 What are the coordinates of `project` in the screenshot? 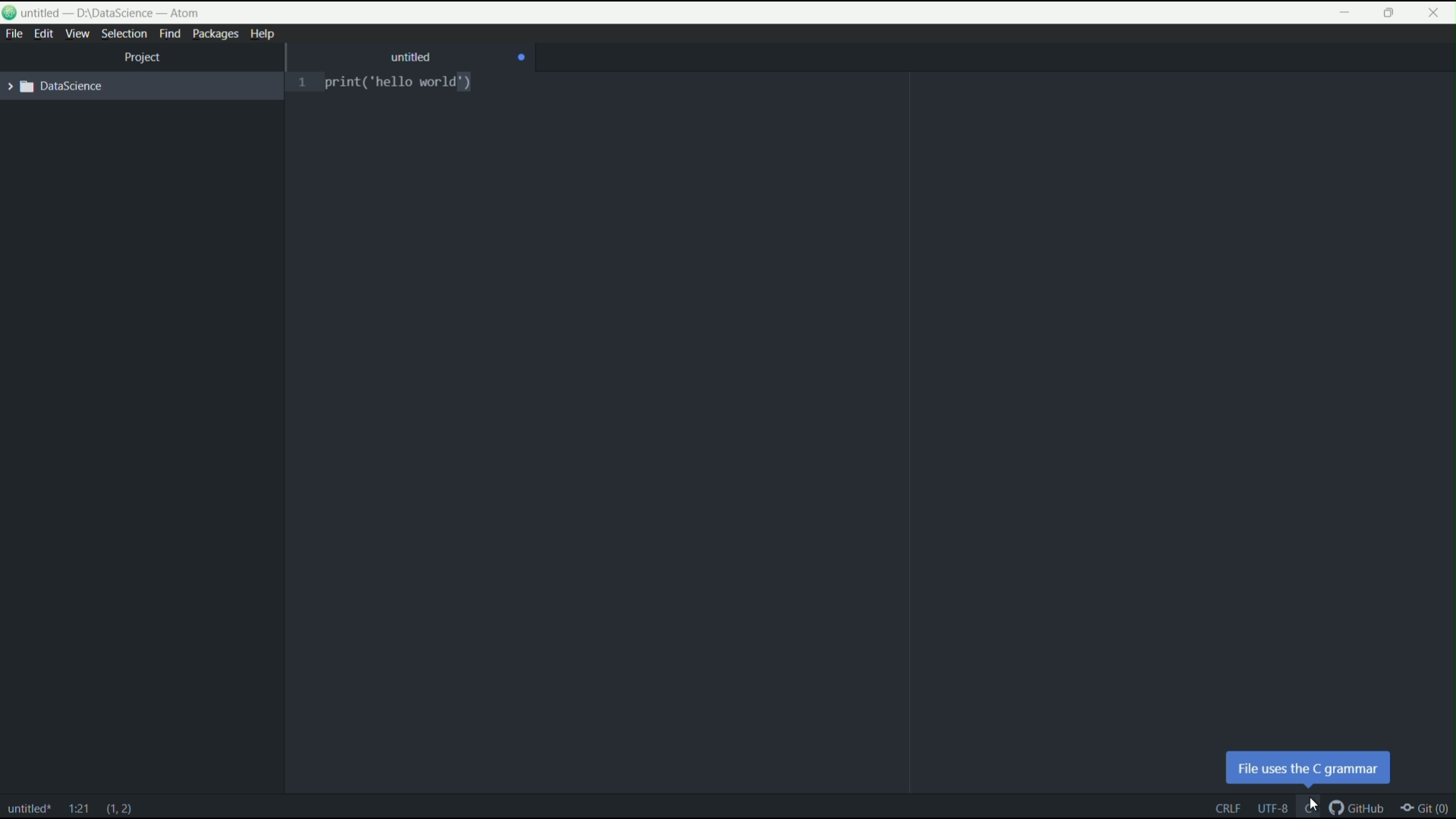 It's located at (144, 56).